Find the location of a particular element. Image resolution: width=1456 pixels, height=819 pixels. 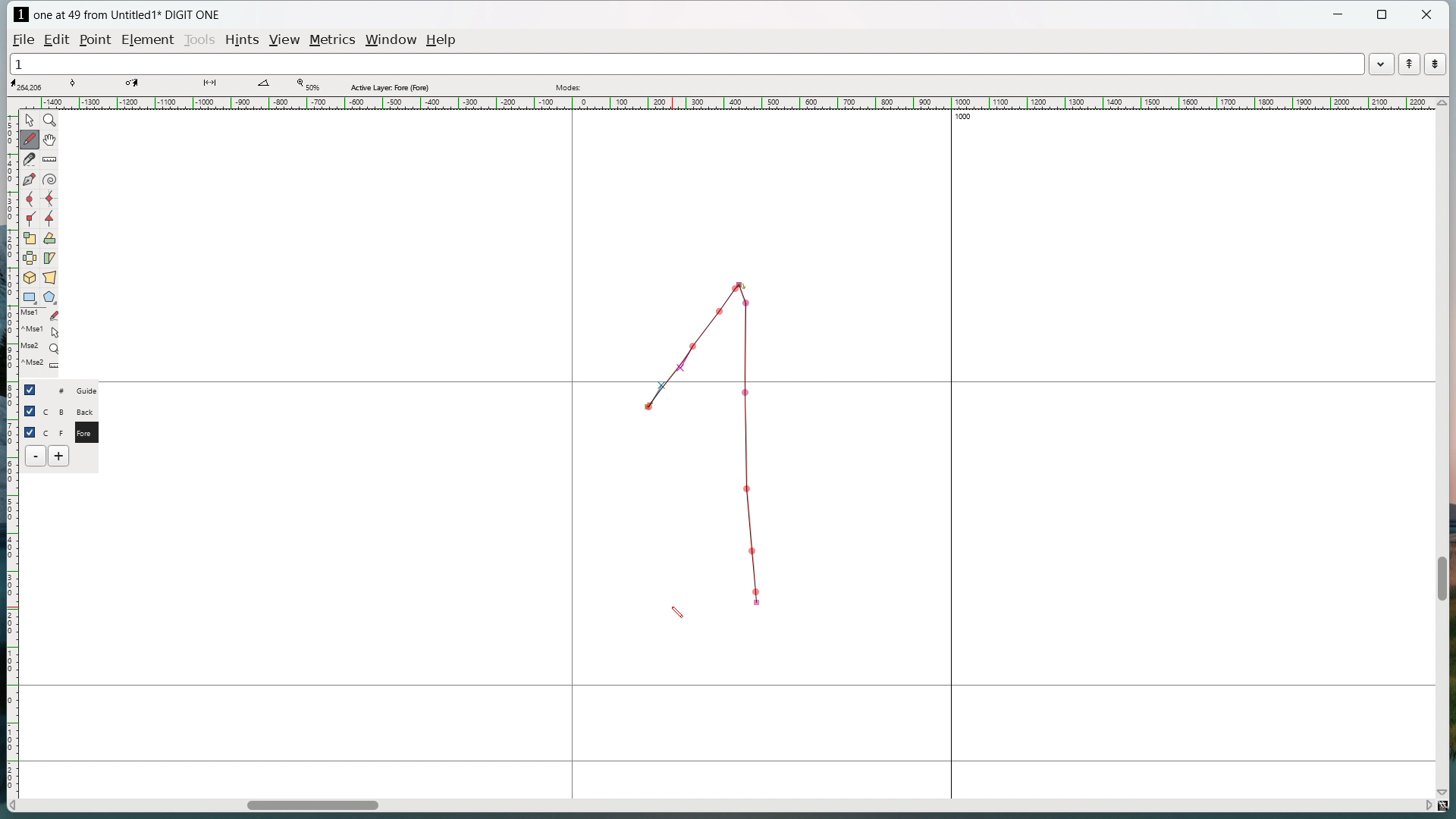

angle between lines is located at coordinates (272, 86).